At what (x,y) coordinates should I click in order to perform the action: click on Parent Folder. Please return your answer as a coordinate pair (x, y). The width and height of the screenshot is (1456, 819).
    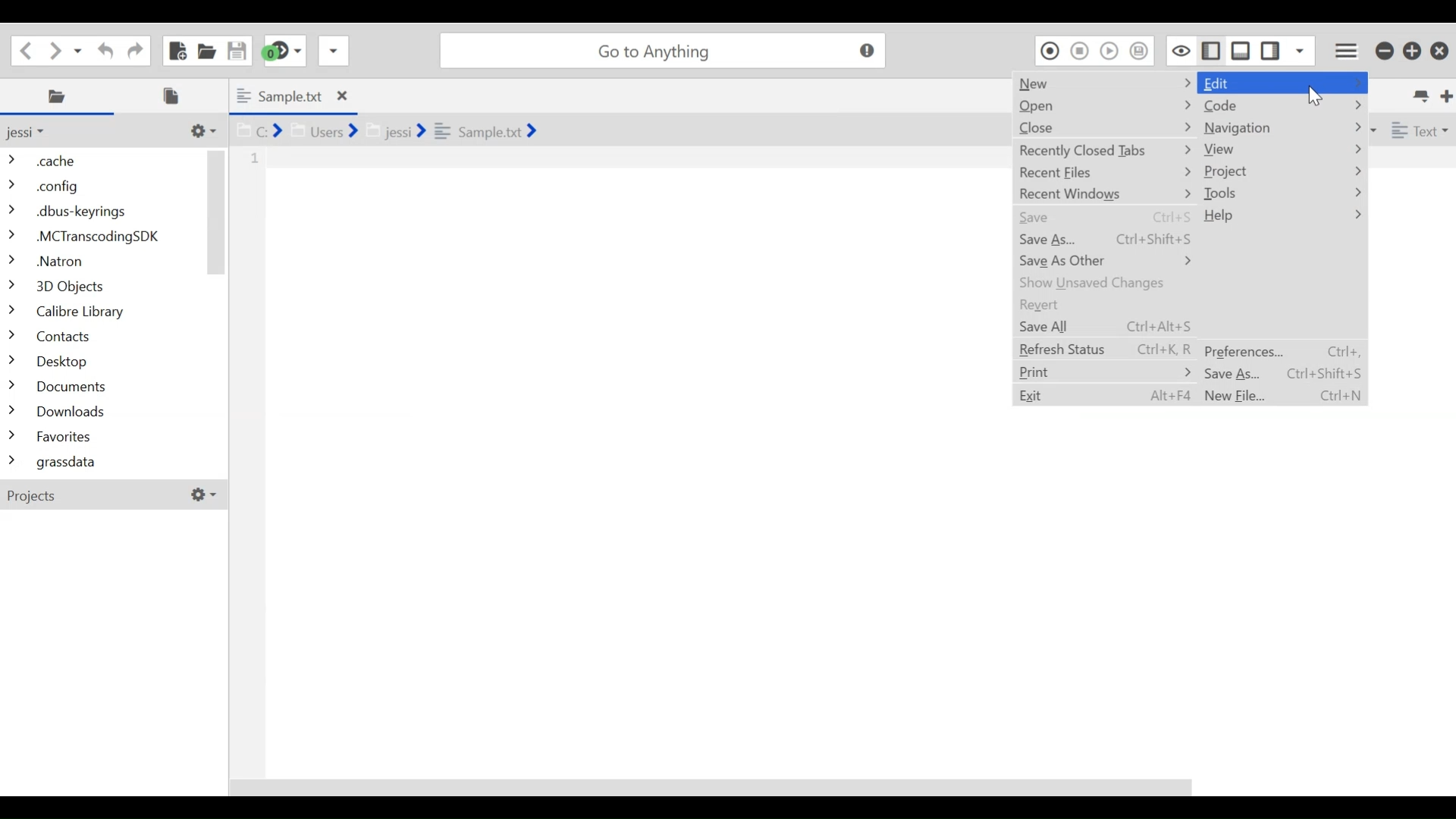
    Looking at the image, I should click on (34, 132).